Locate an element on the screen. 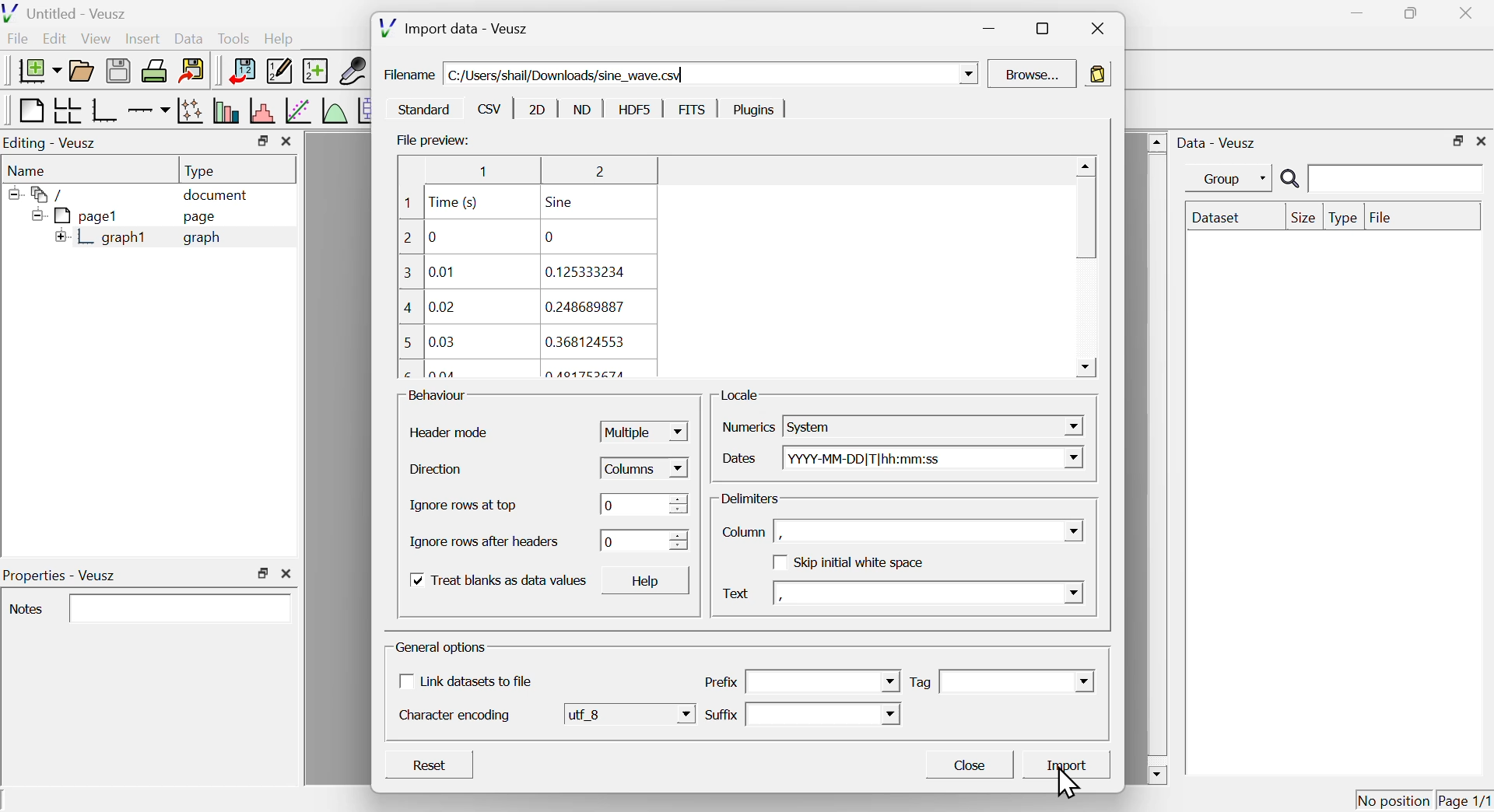 The height and width of the screenshot is (812, 1494). text box is located at coordinates (928, 592).